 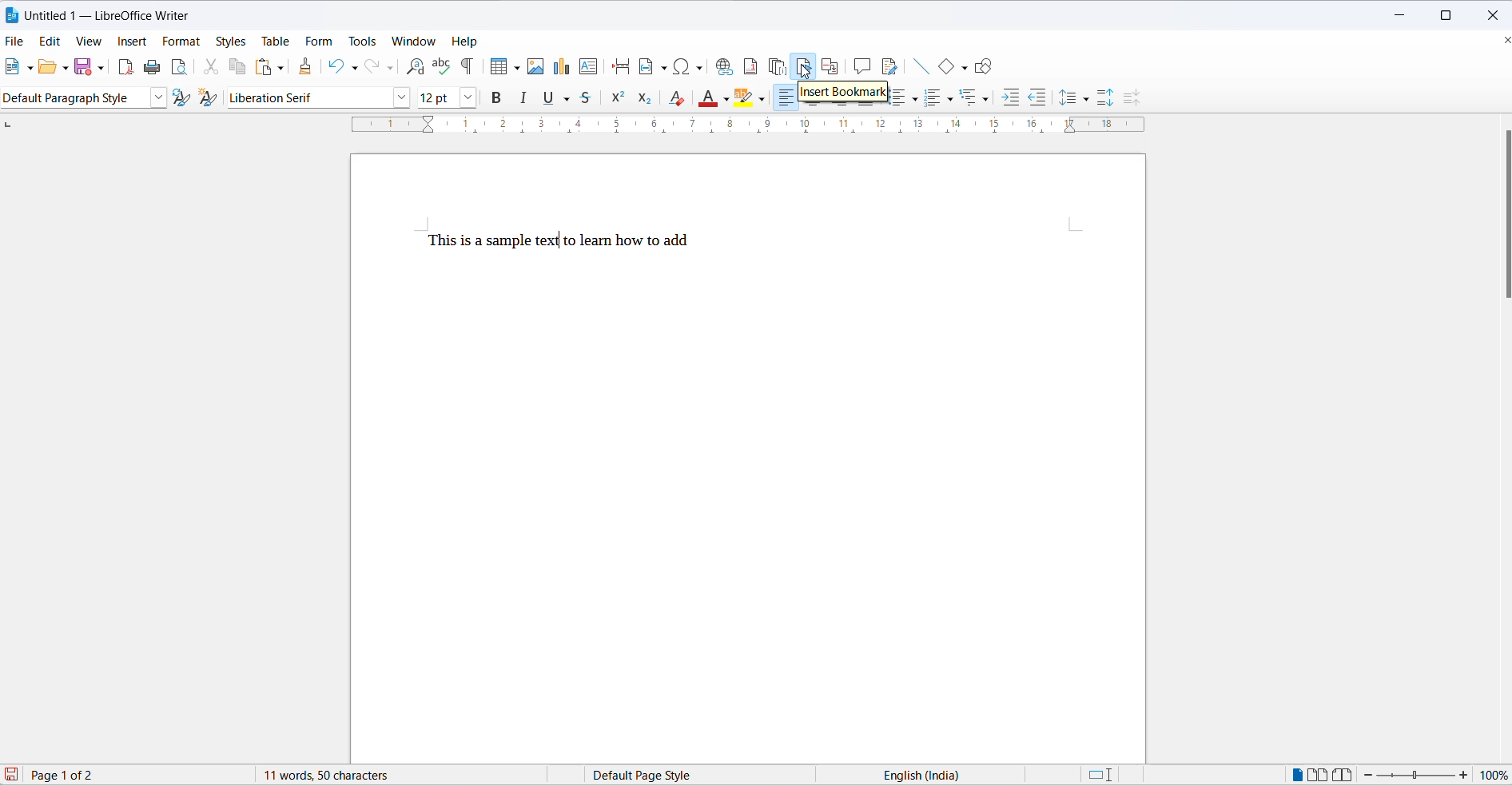 I want to click on redo, so click(x=373, y=67).